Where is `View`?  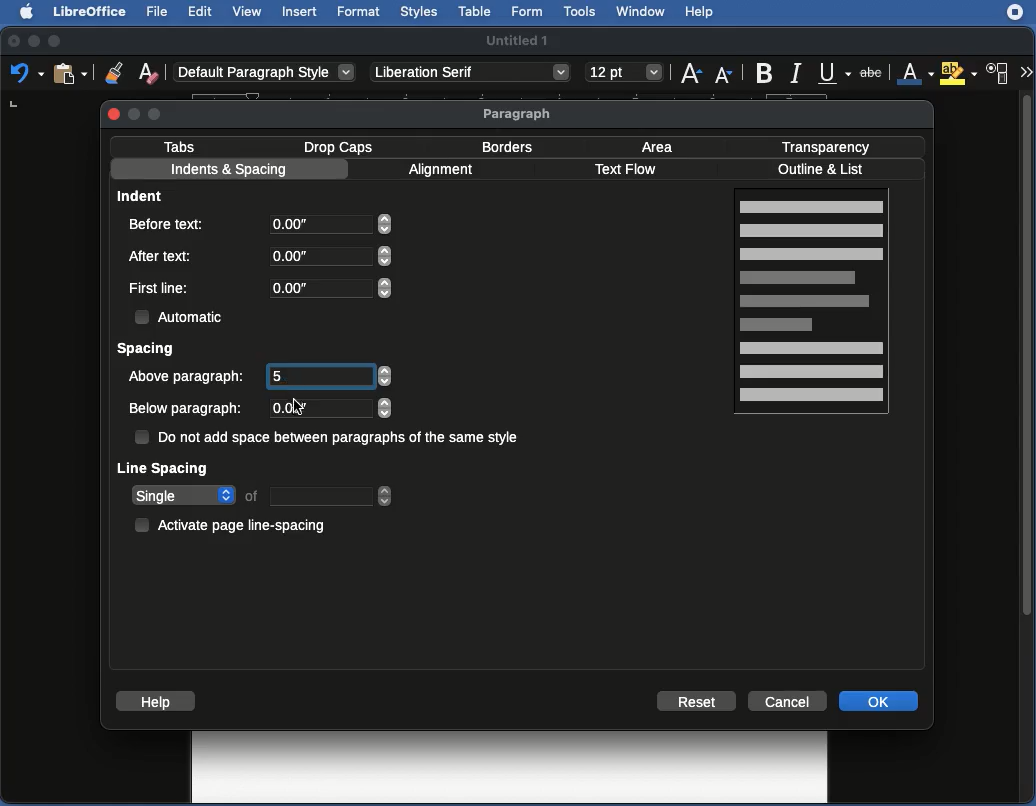
View is located at coordinates (249, 13).